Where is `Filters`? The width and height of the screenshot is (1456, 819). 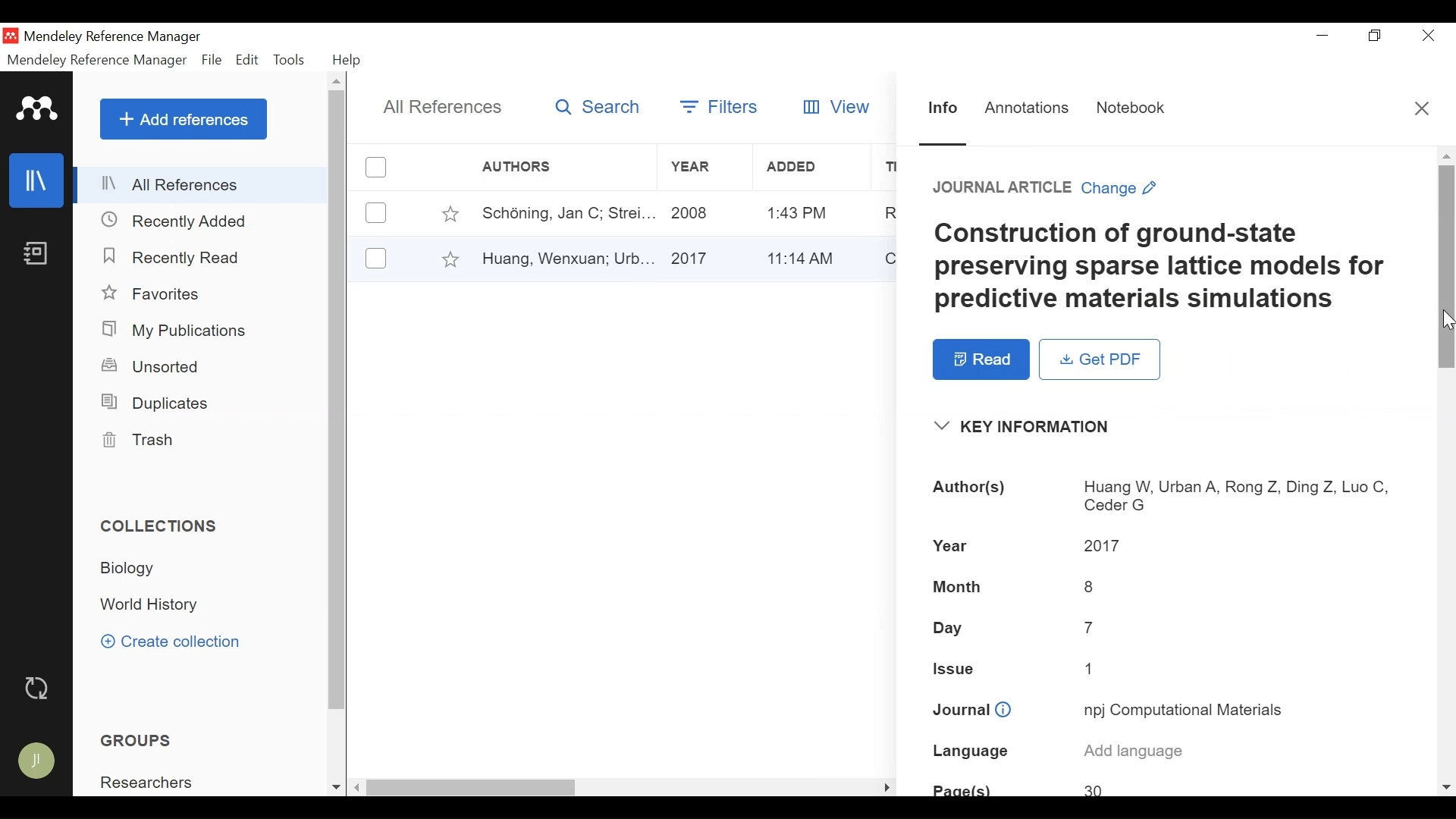
Filters is located at coordinates (717, 106).